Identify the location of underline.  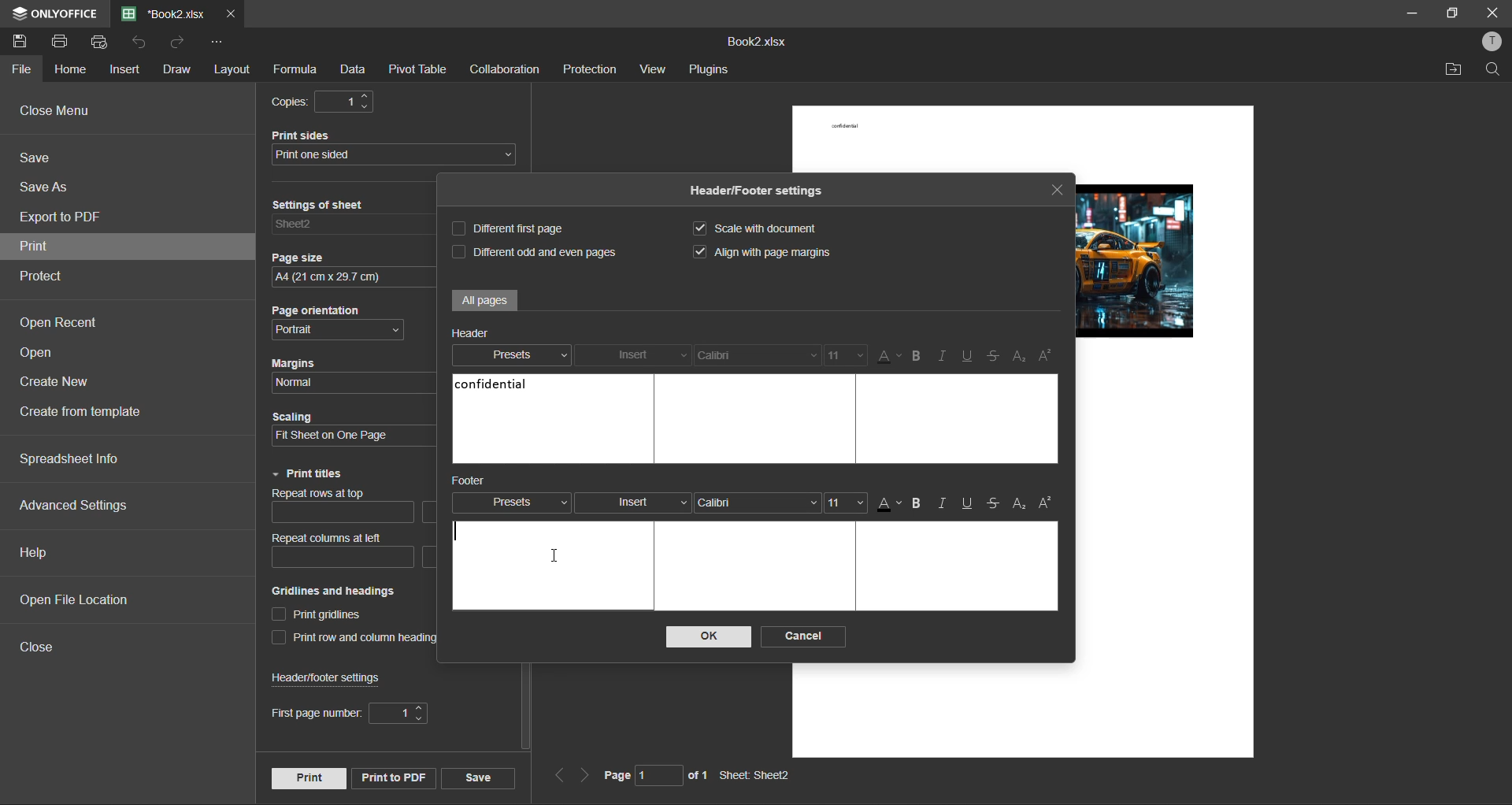
(968, 502).